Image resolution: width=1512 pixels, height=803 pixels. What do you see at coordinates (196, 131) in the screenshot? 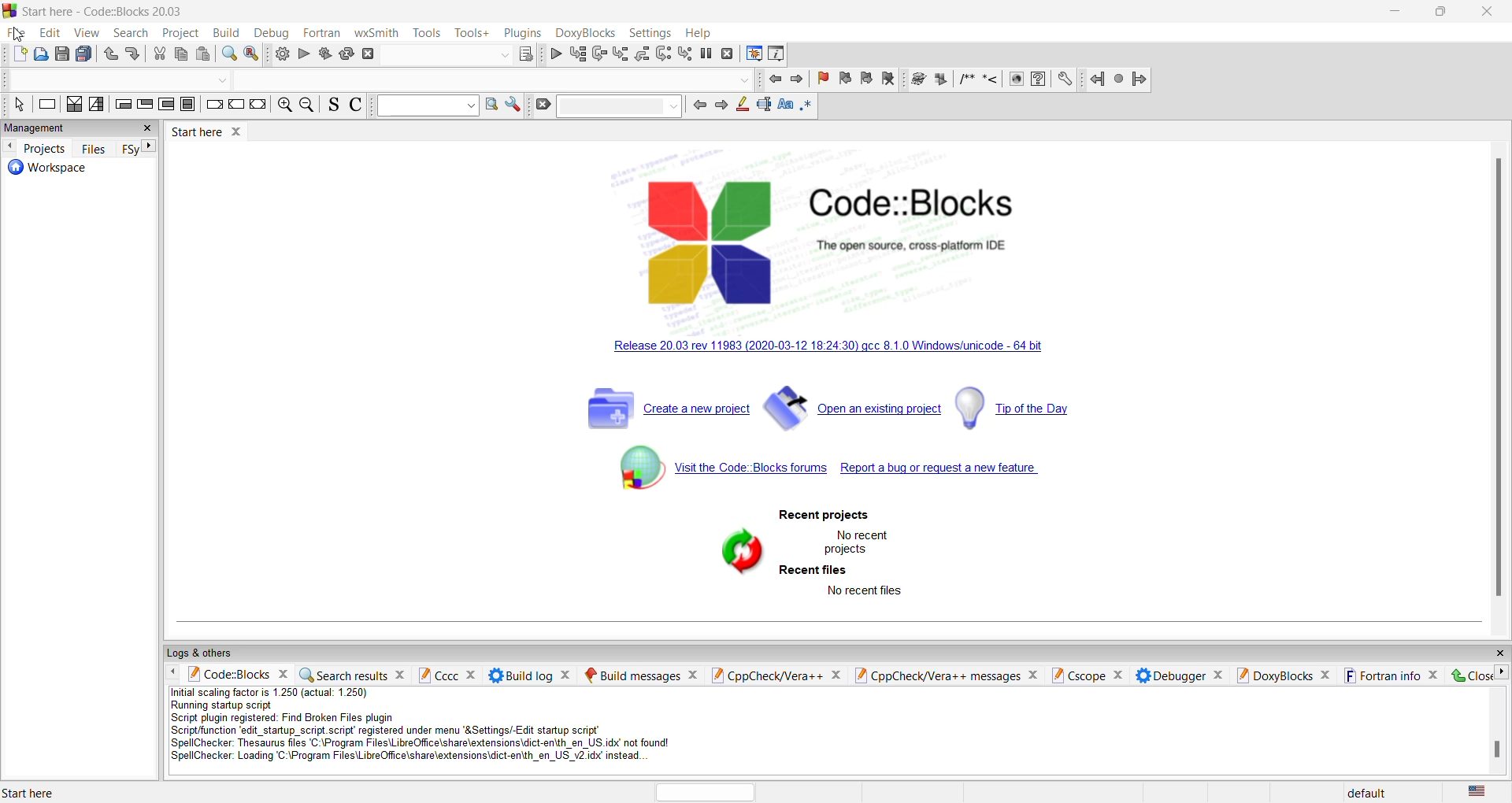
I see `start here tab` at bounding box center [196, 131].